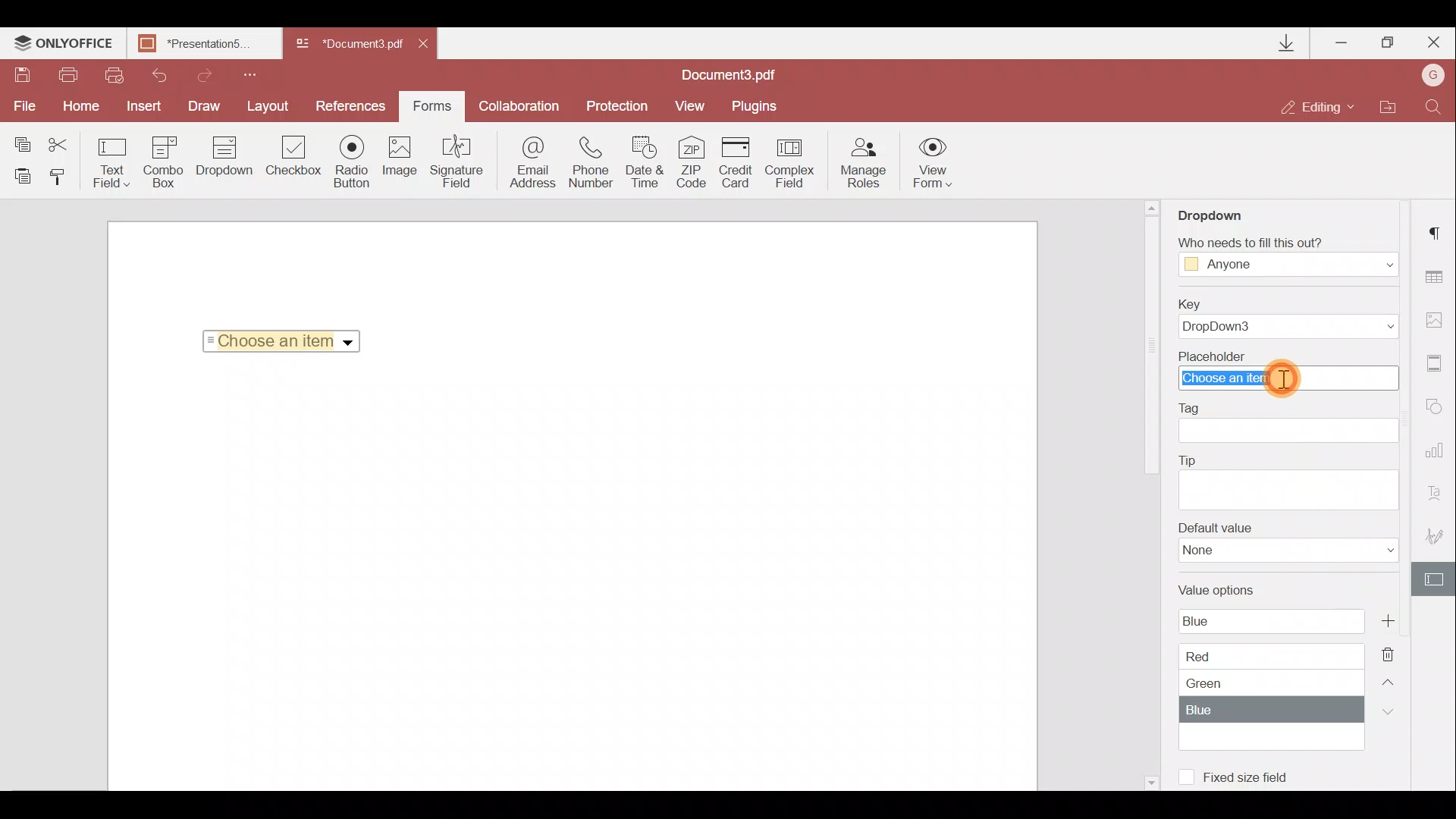 Image resolution: width=1456 pixels, height=819 pixels. Describe the element at coordinates (73, 75) in the screenshot. I see `Print file` at that location.